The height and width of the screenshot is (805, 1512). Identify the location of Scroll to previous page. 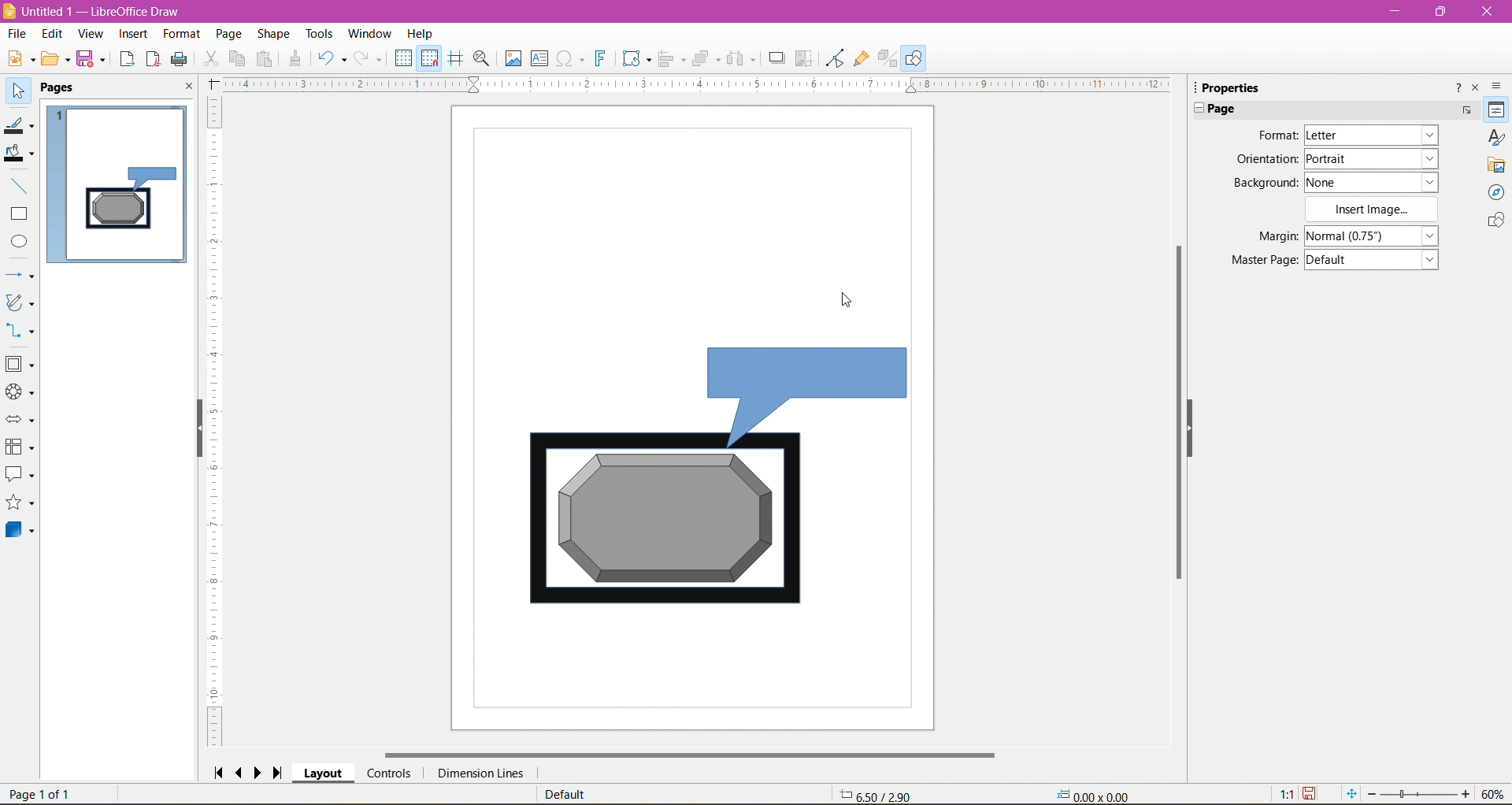
(241, 772).